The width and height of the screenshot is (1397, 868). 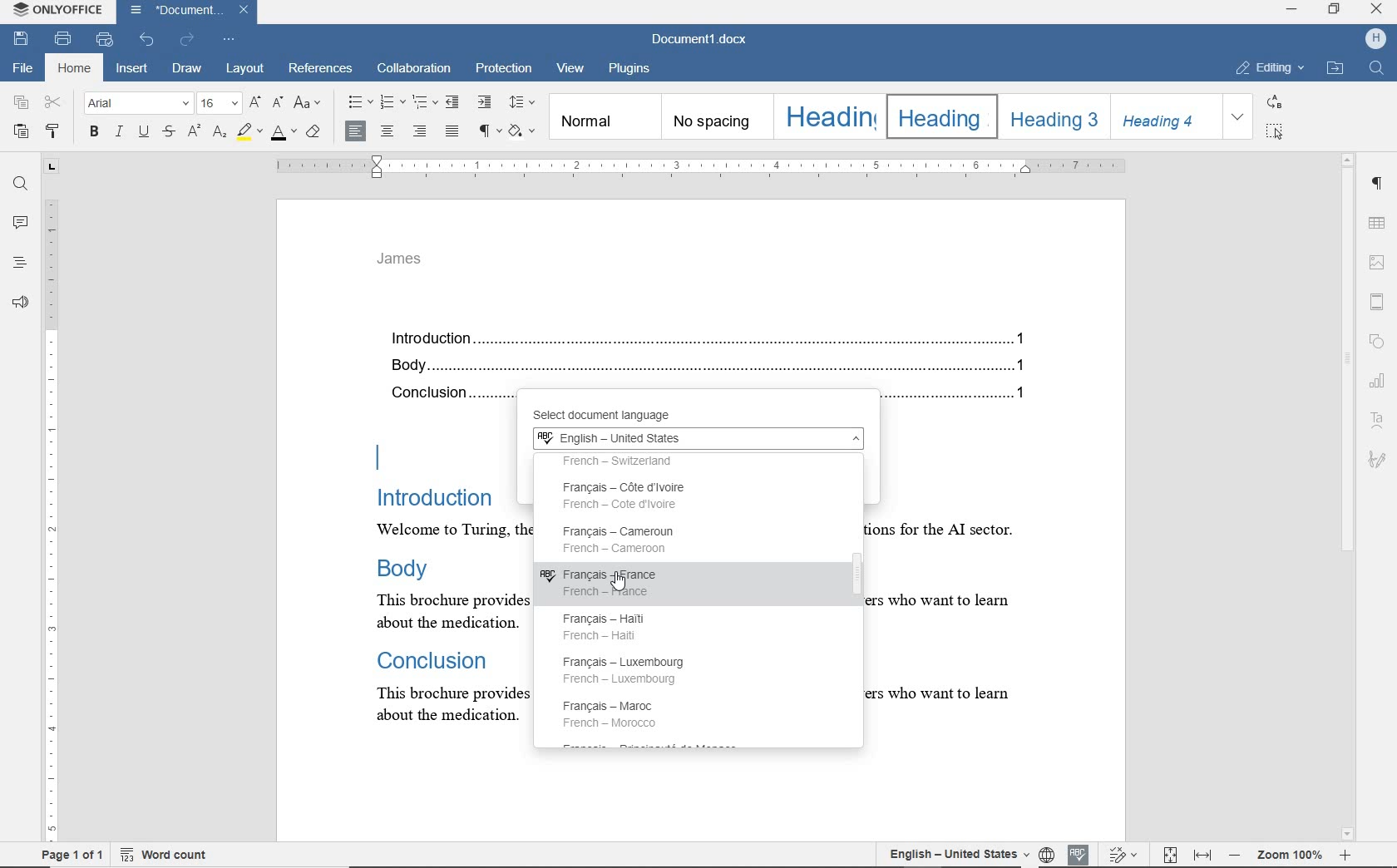 I want to click on Heading 2, so click(x=938, y=116).